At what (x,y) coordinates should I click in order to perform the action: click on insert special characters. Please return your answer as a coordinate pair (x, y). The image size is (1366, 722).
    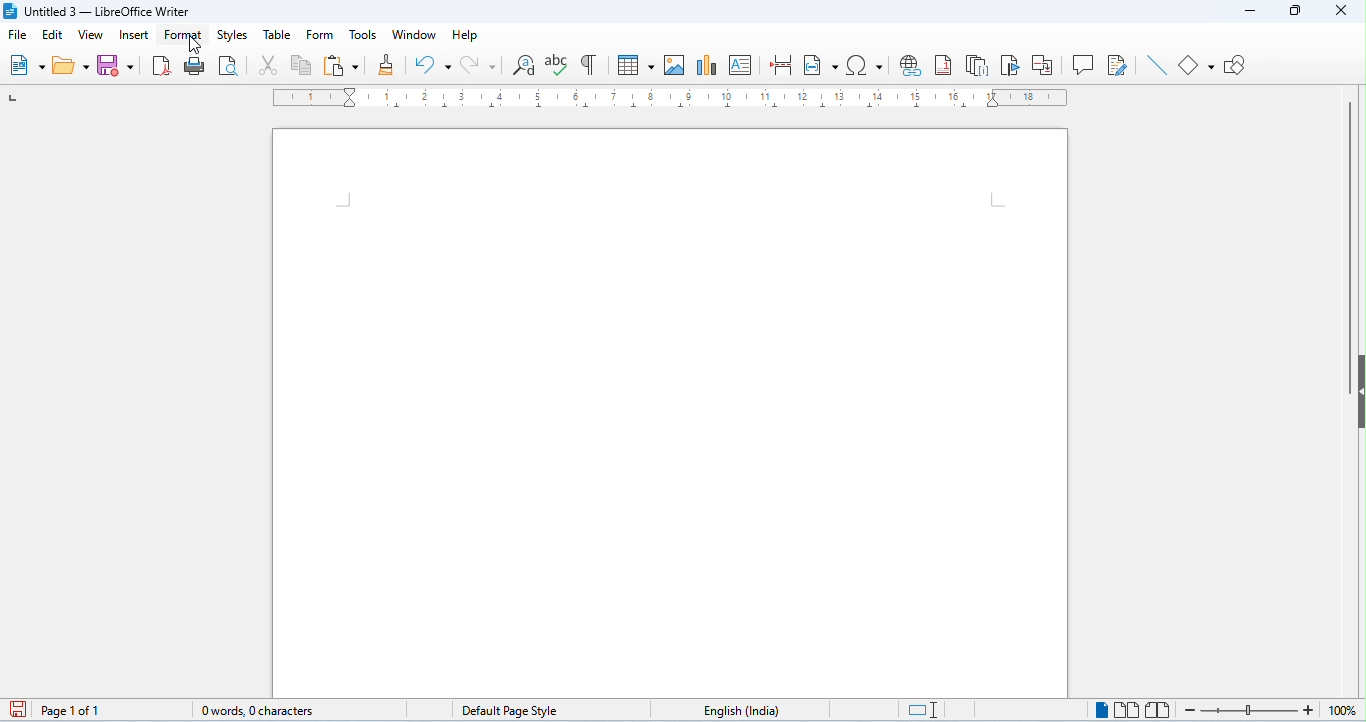
    Looking at the image, I should click on (865, 63).